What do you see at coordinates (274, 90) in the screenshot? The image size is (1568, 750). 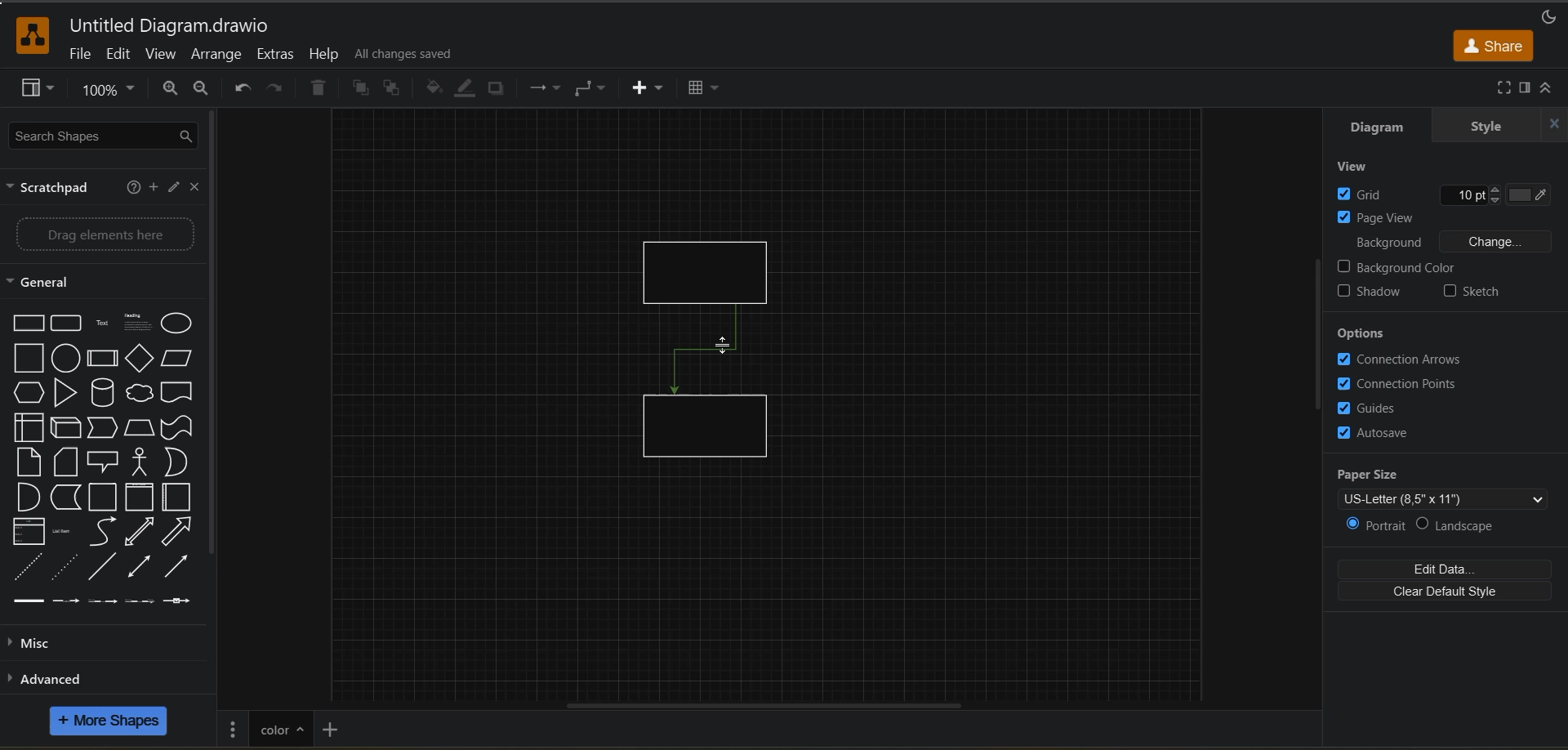 I see `redo` at bounding box center [274, 90].